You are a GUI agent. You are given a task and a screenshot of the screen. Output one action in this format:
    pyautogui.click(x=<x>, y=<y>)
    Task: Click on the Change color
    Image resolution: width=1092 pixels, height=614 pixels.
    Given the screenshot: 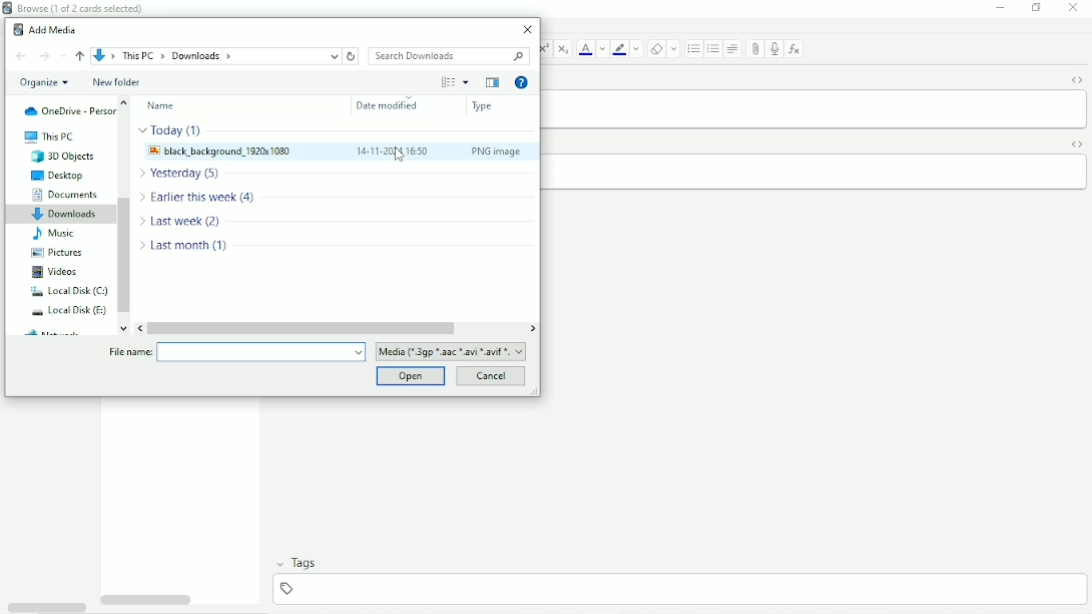 What is the action you would take?
    pyautogui.click(x=602, y=49)
    